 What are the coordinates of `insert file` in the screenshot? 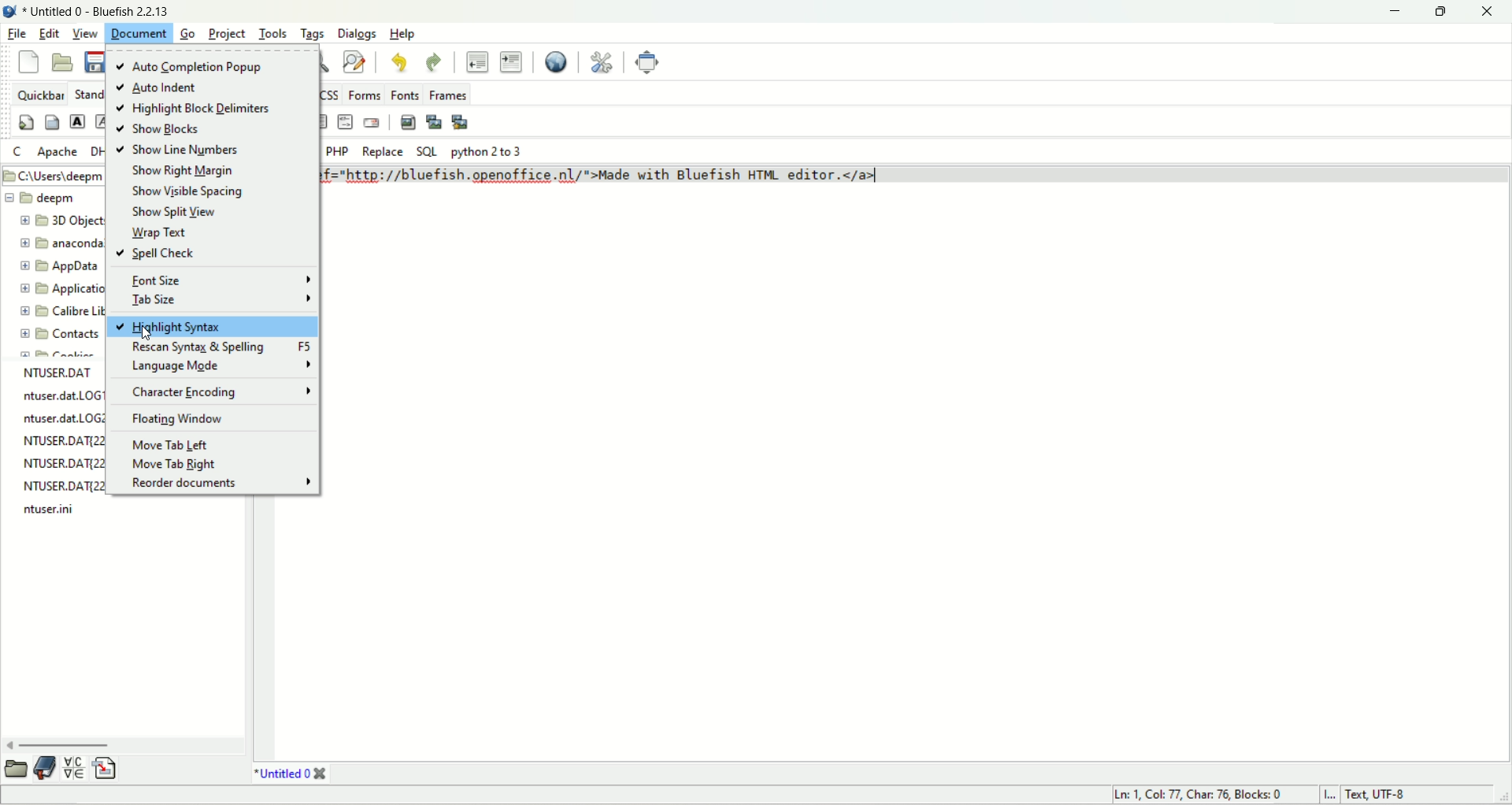 It's located at (103, 767).